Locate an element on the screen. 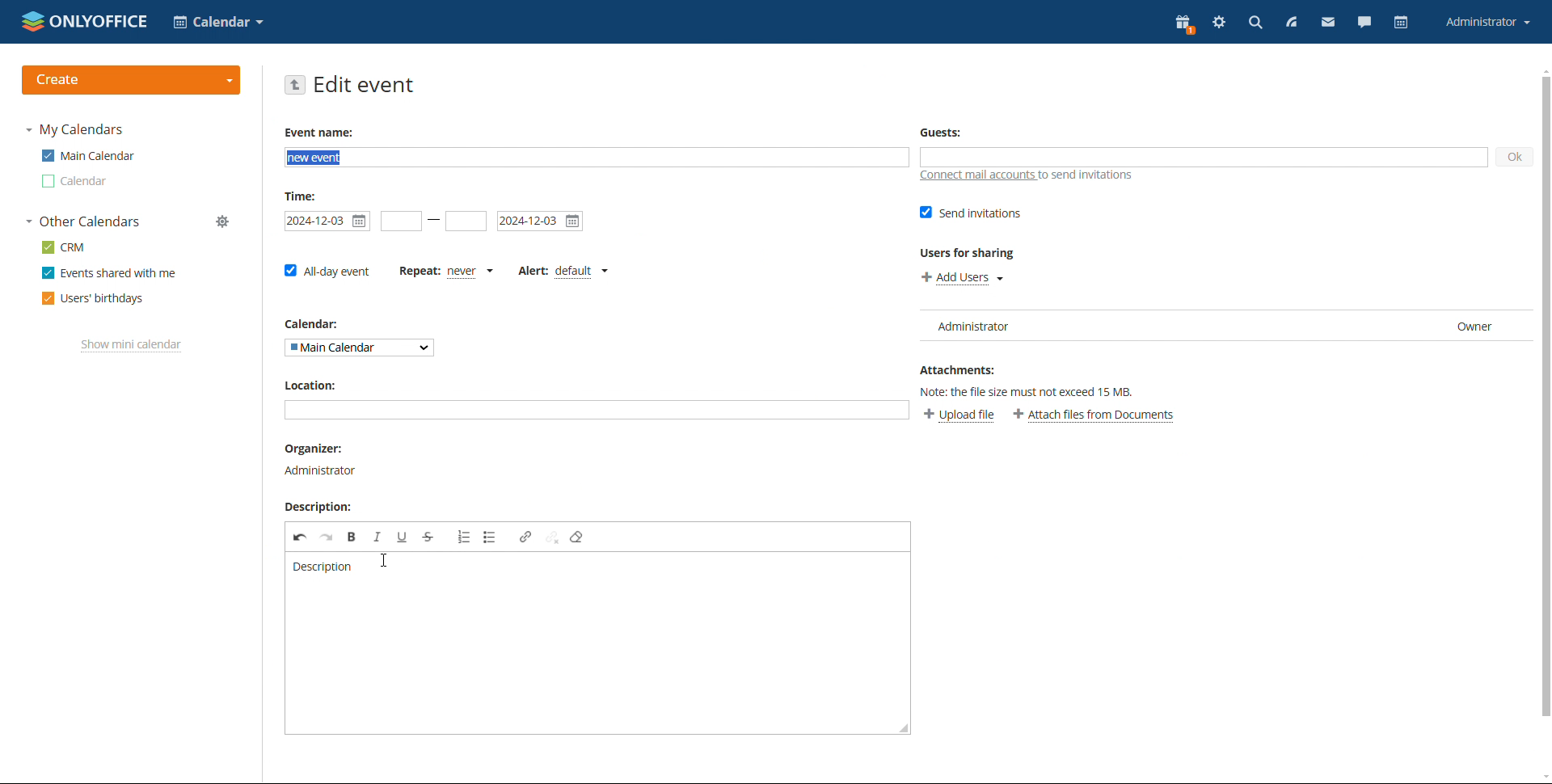 Image resolution: width=1552 pixels, height=784 pixels. space to edit description is located at coordinates (590, 651).